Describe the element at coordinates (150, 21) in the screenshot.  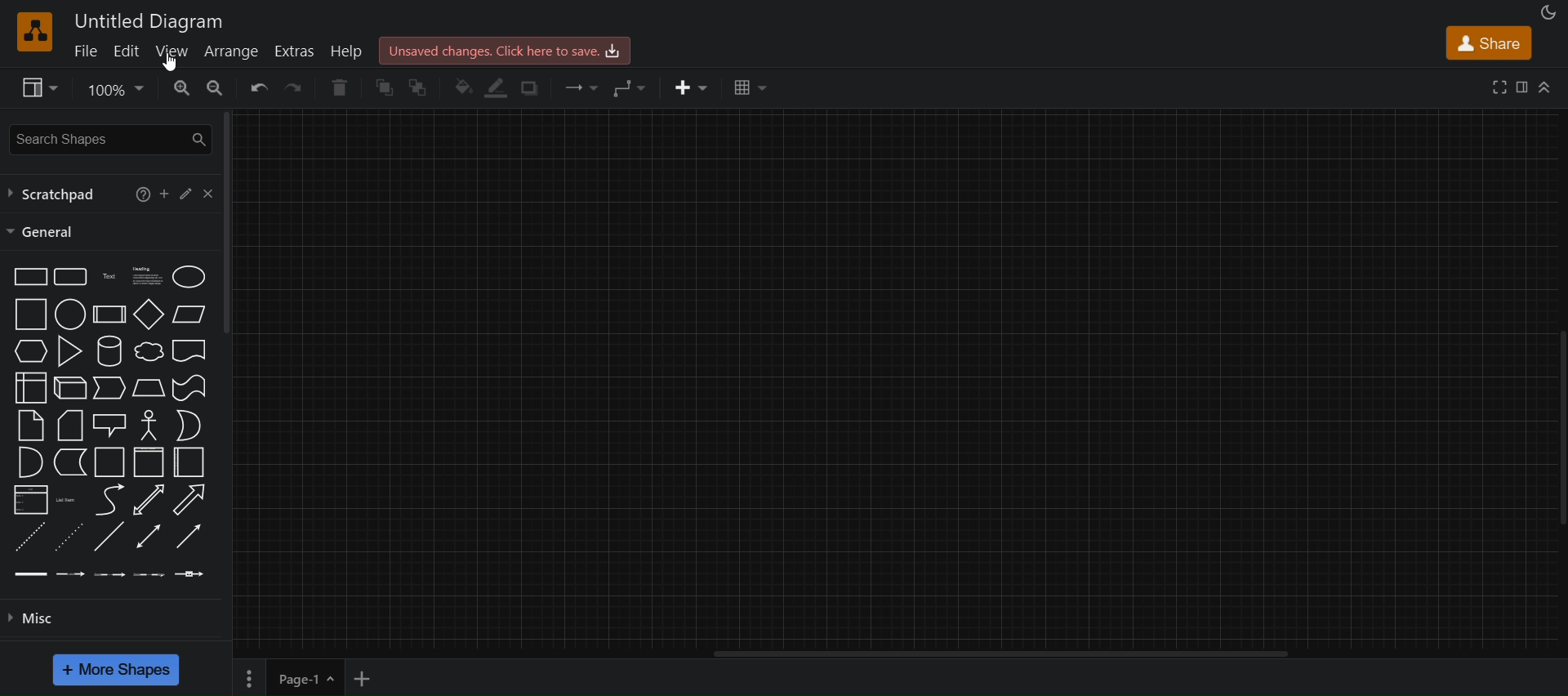
I see `title` at that location.